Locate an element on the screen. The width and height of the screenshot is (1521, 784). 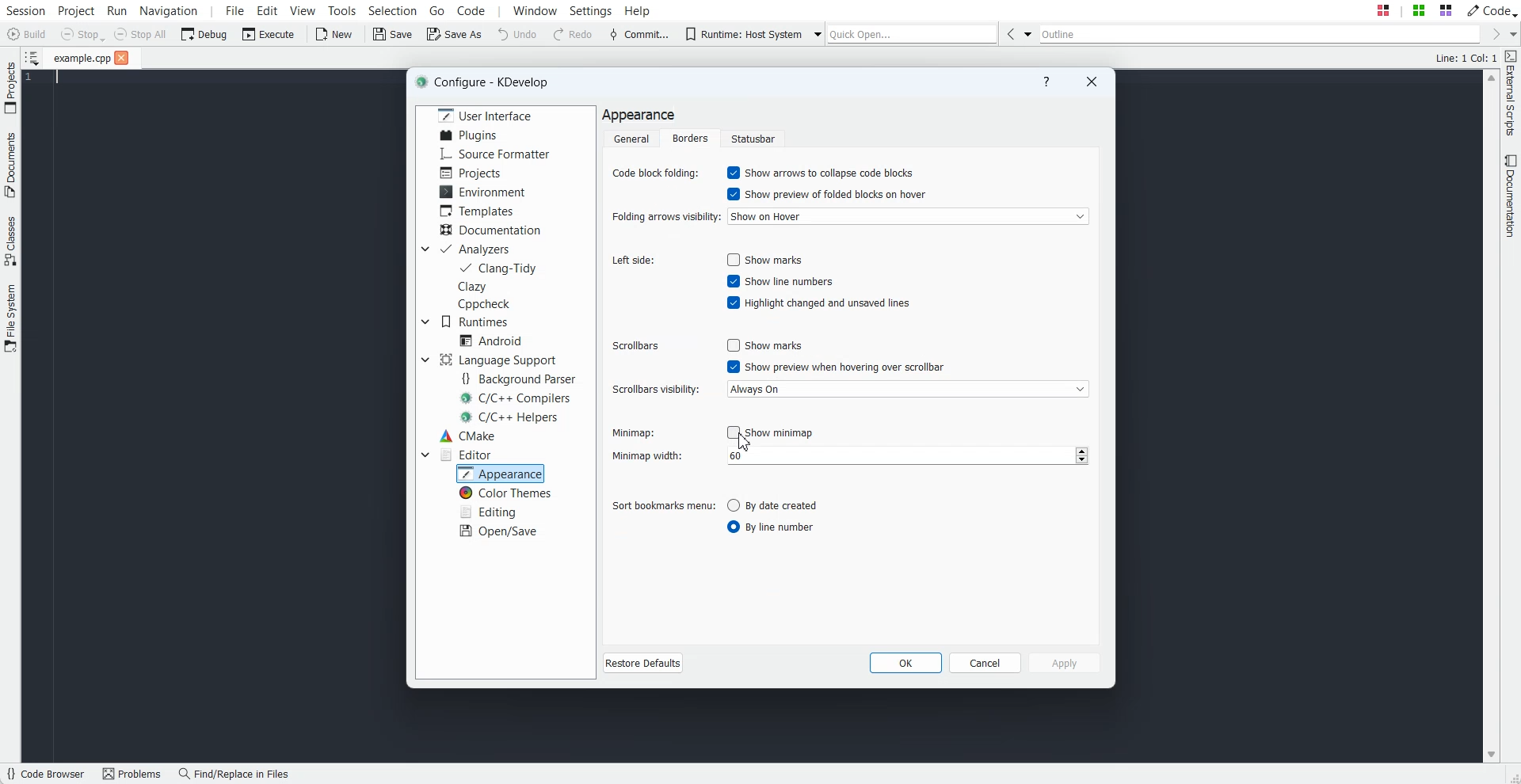
Show on hover is located at coordinates (907, 216).